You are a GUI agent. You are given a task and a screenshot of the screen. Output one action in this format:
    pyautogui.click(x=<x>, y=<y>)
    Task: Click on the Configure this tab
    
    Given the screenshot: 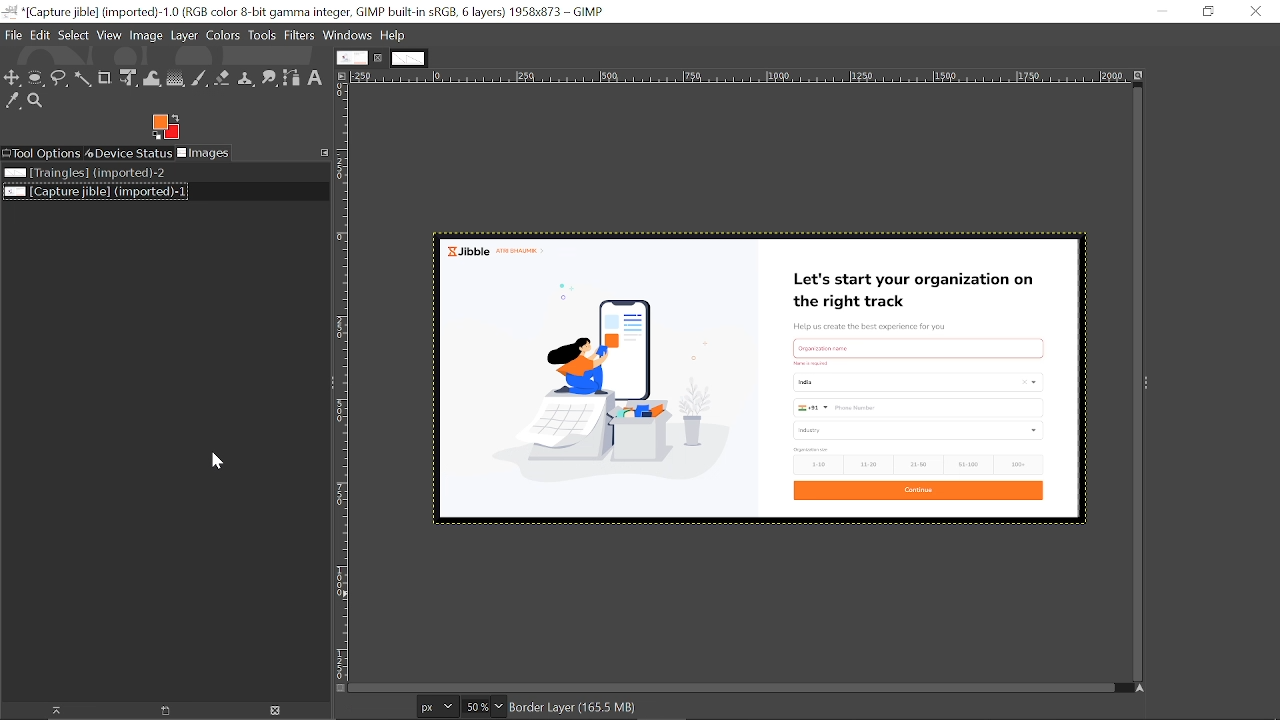 What is the action you would take?
    pyautogui.click(x=324, y=152)
    